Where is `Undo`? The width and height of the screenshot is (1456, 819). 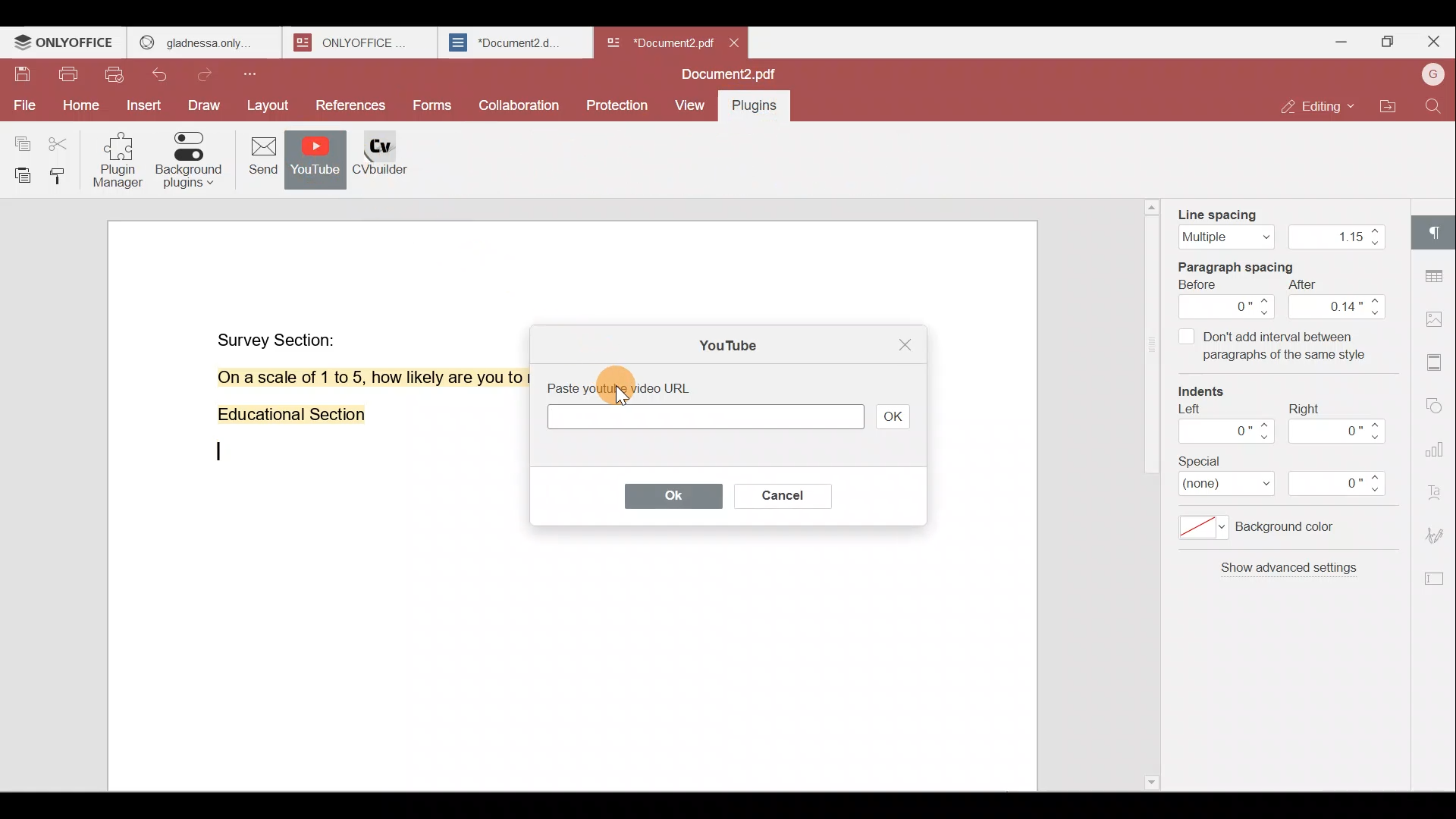 Undo is located at coordinates (168, 77).